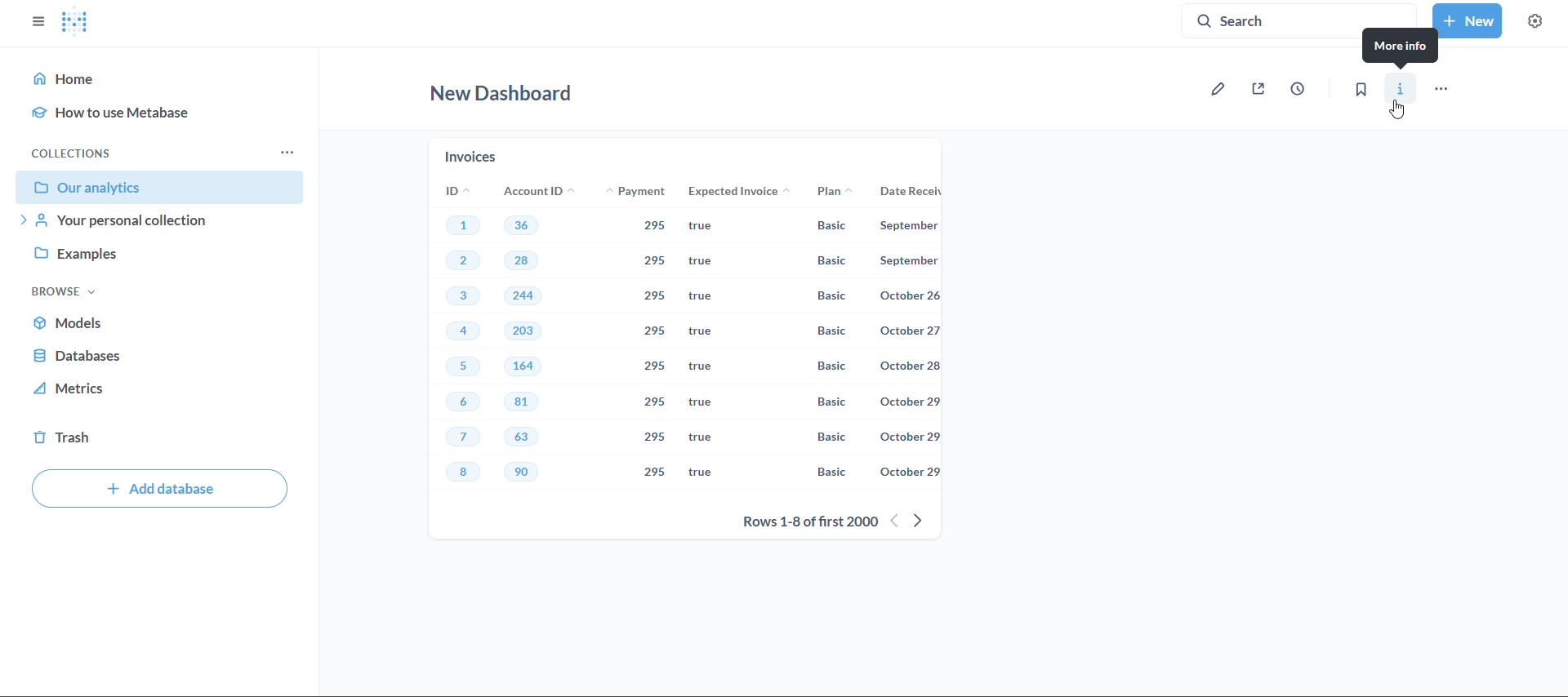 The image size is (1568, 697). What do you see at coordinates (530, 264) in the screenshot?
I see `28` at bounding box center [530, 264].